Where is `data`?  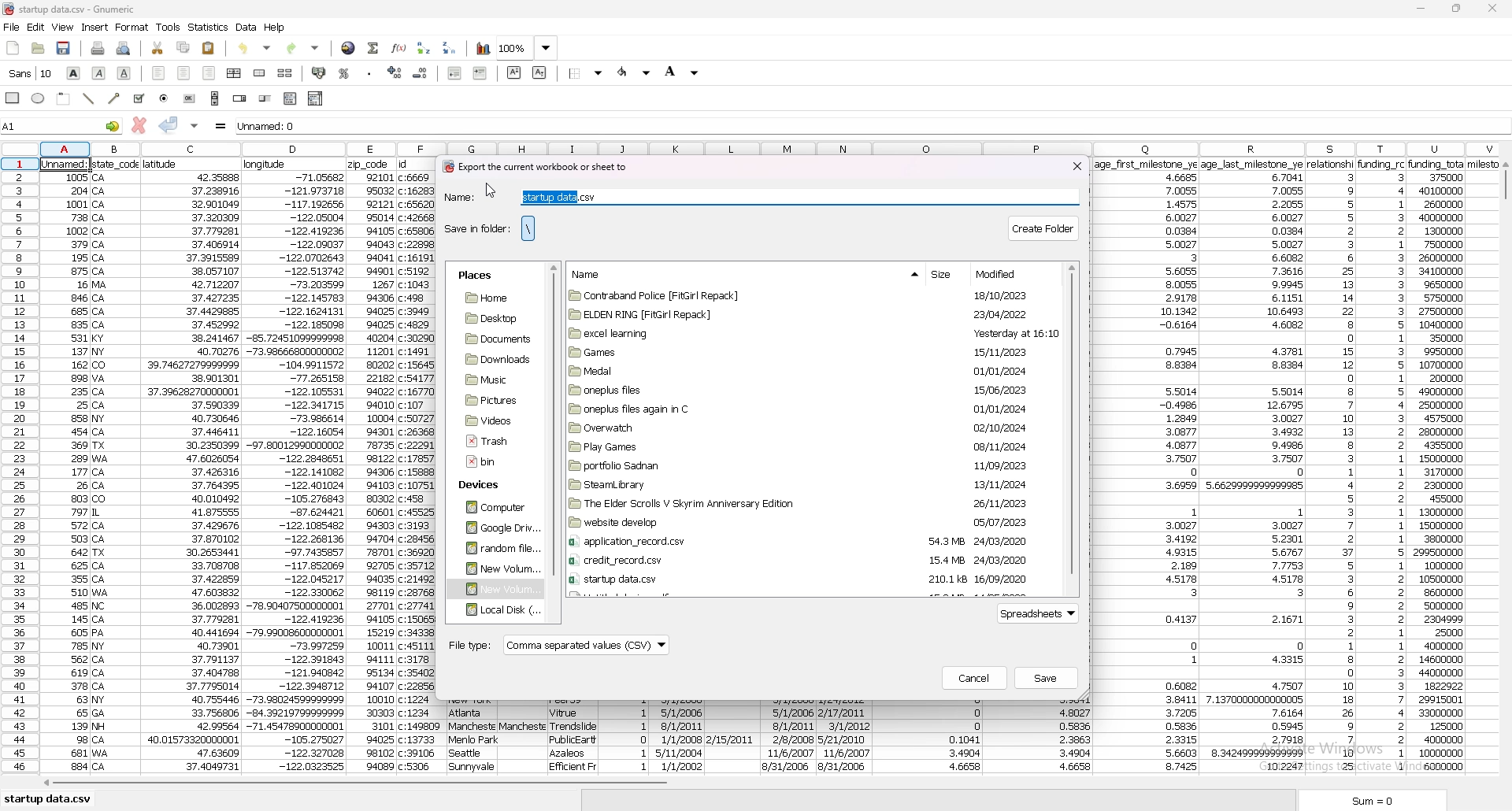
data is located at coordinates (296, 466).